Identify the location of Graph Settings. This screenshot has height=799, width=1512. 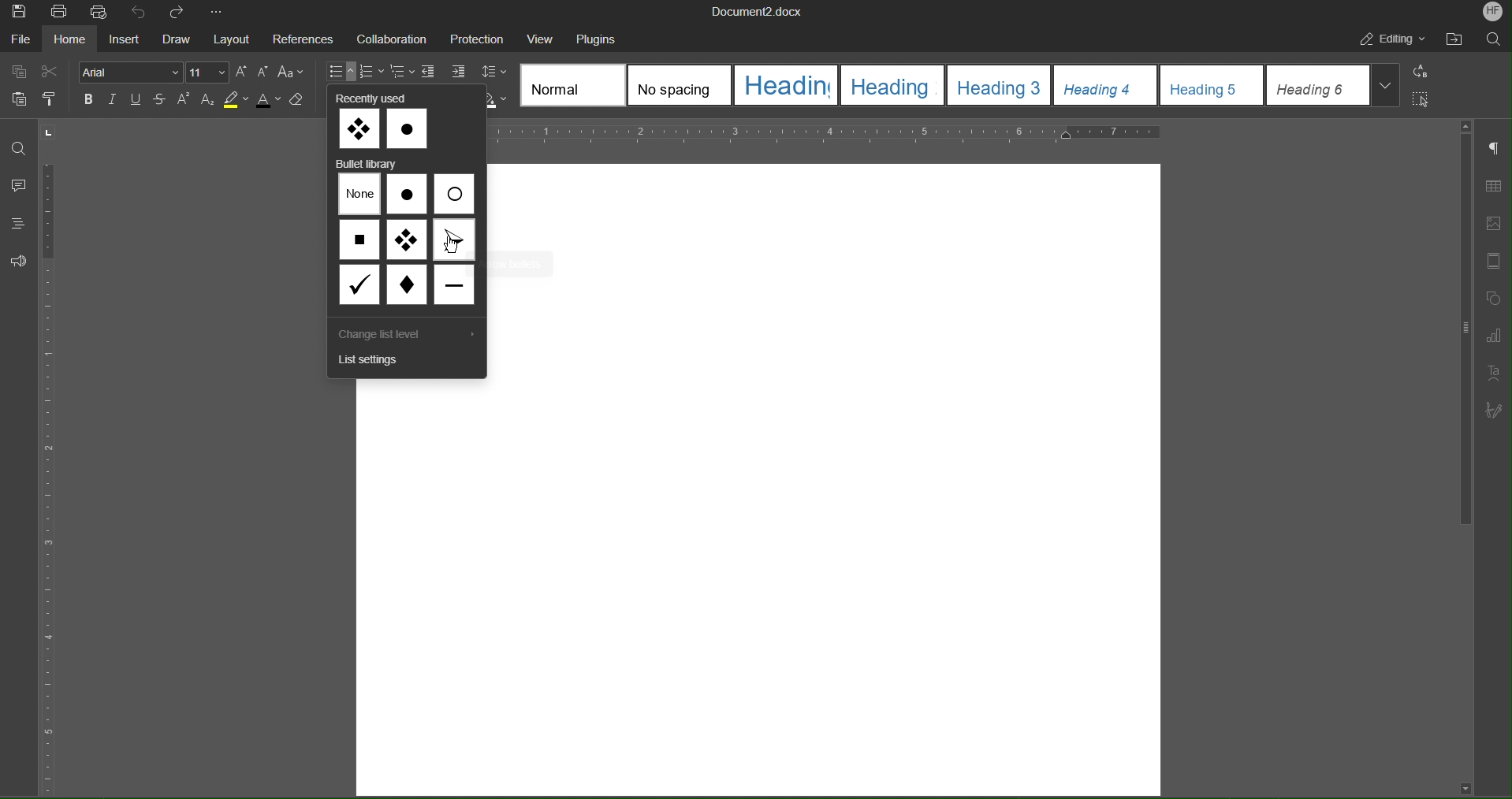
(1490, 334).